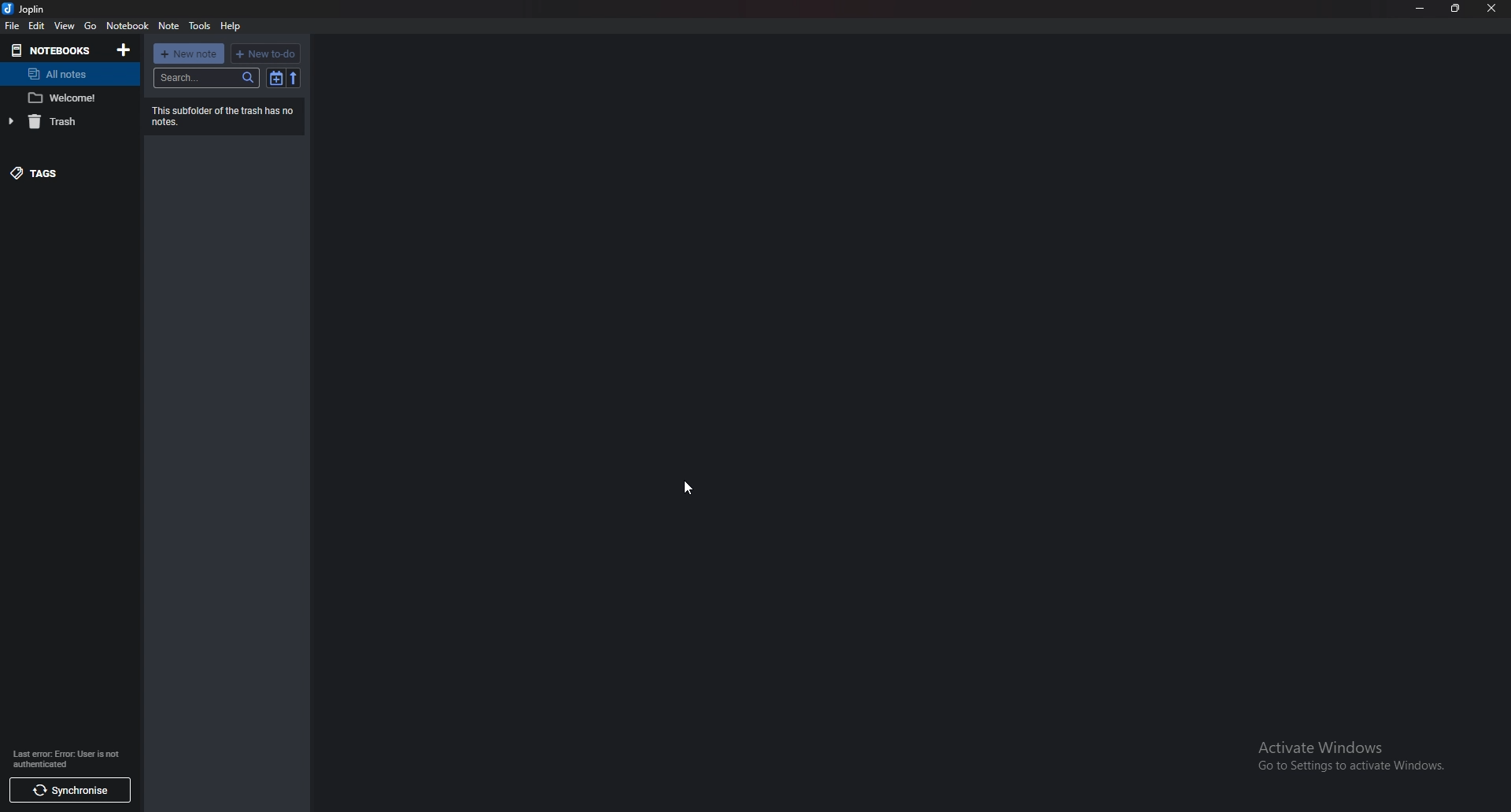 The width and height of the screenshot is (1511, 812). Describe the element at coordinates (27, 9) in the screenshot. I see `joplin` at that location.